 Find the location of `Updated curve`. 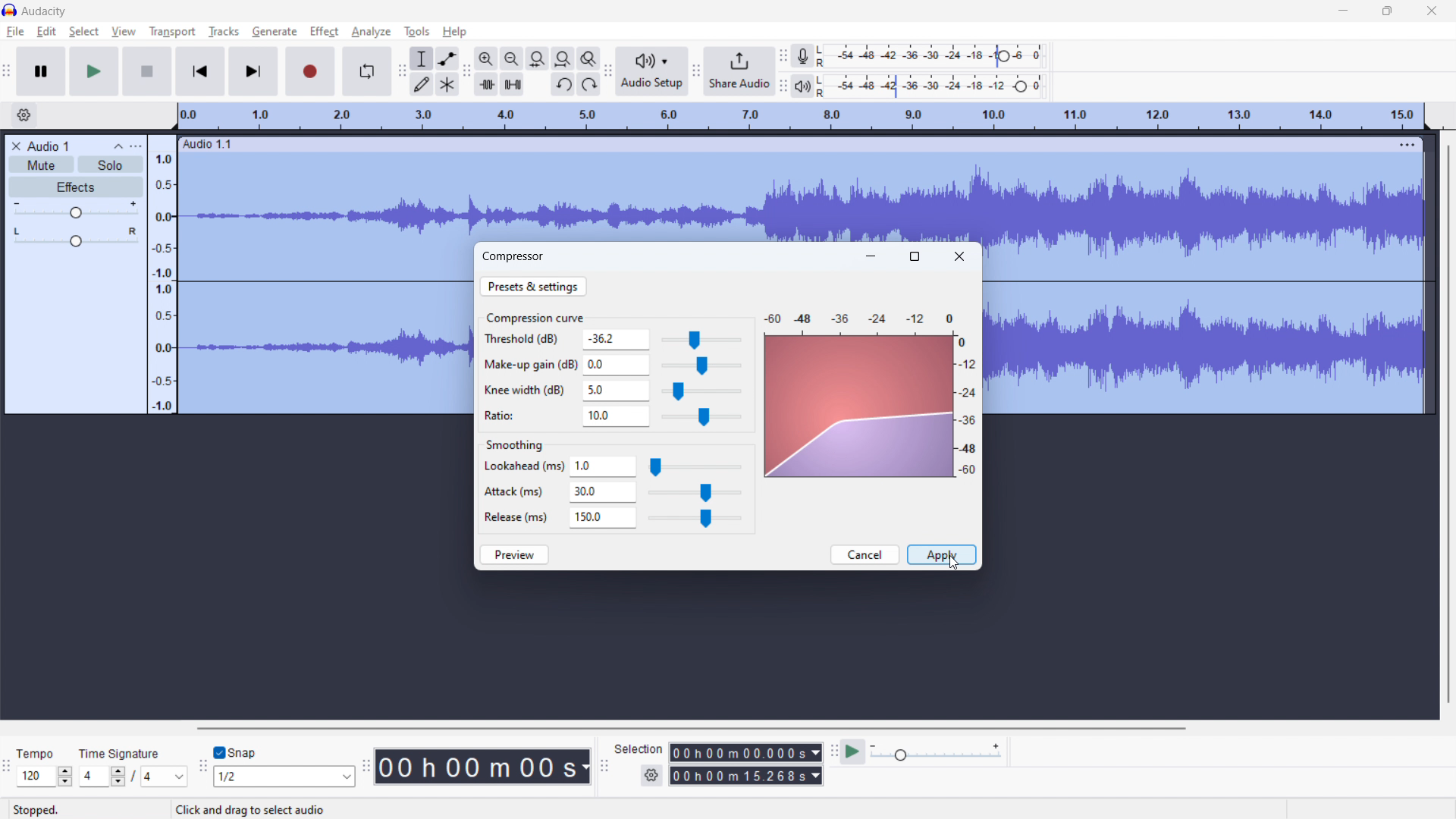

Updated curve is located at coordinates (860, 407).